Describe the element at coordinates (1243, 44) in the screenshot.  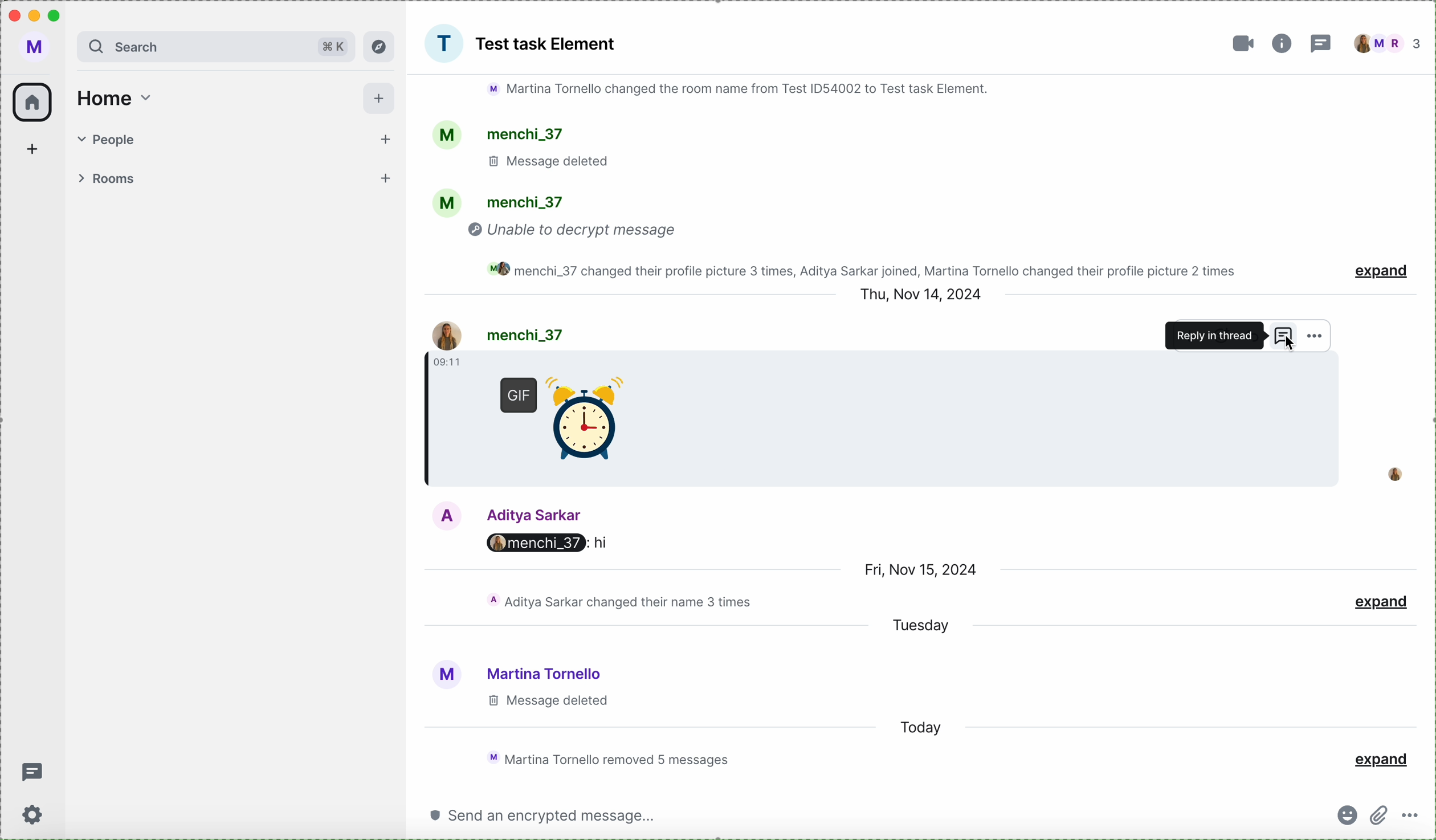
I see `video call` at that location.